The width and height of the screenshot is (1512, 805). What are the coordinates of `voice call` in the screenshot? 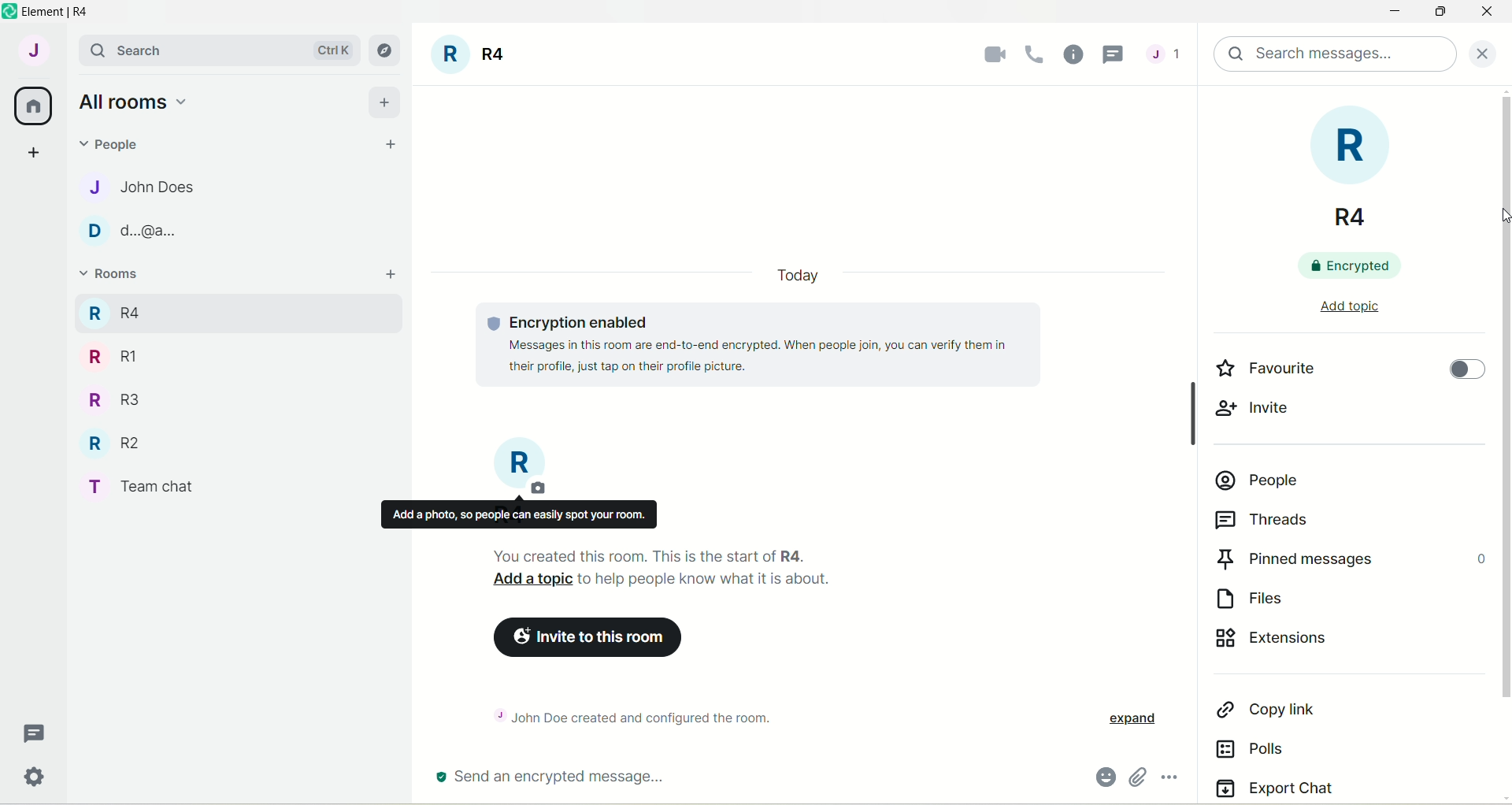 It's located at (1038, 54).